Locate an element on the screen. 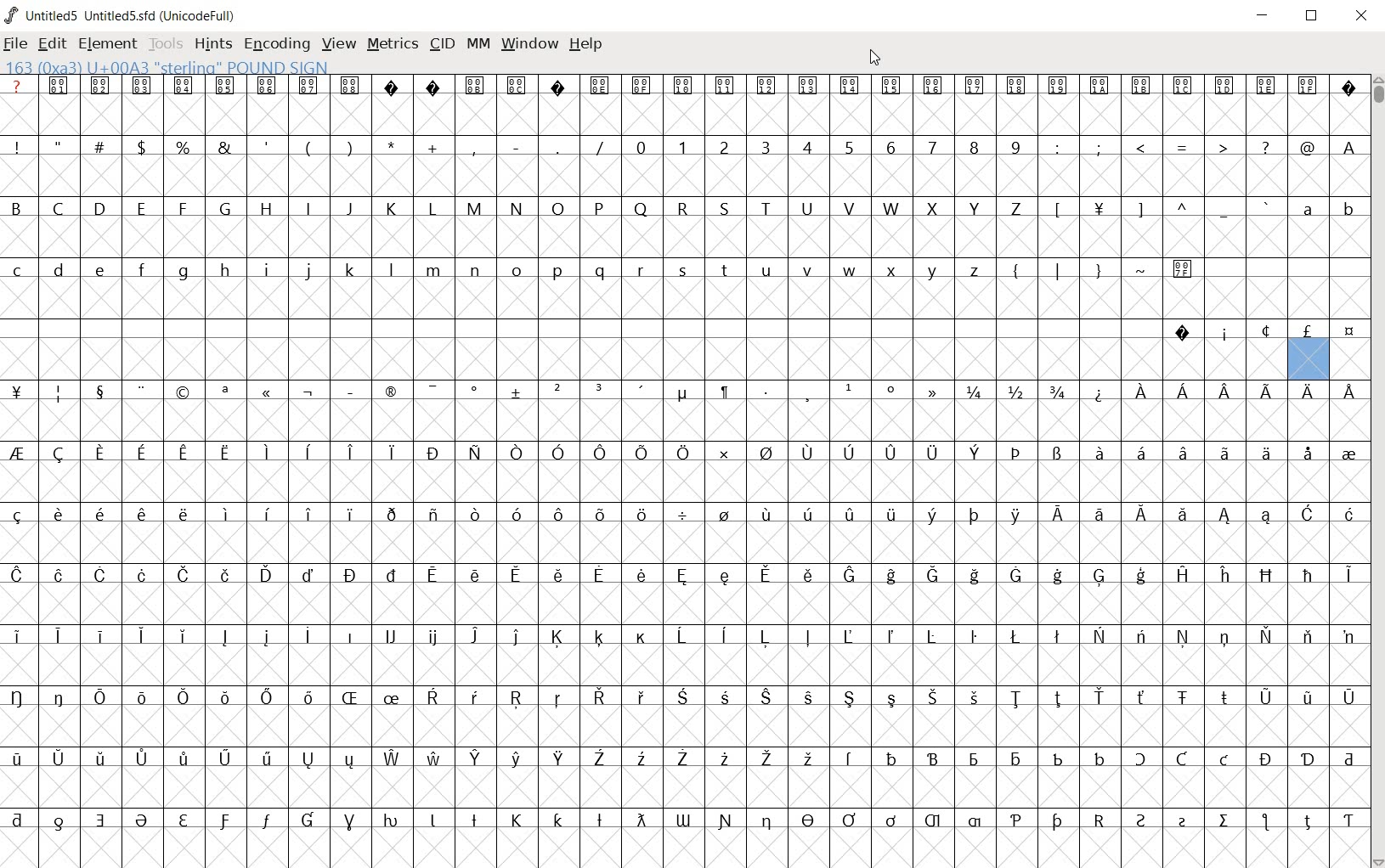 The image size is (1385, 868). Symbol is located at coordinates (935, 822).